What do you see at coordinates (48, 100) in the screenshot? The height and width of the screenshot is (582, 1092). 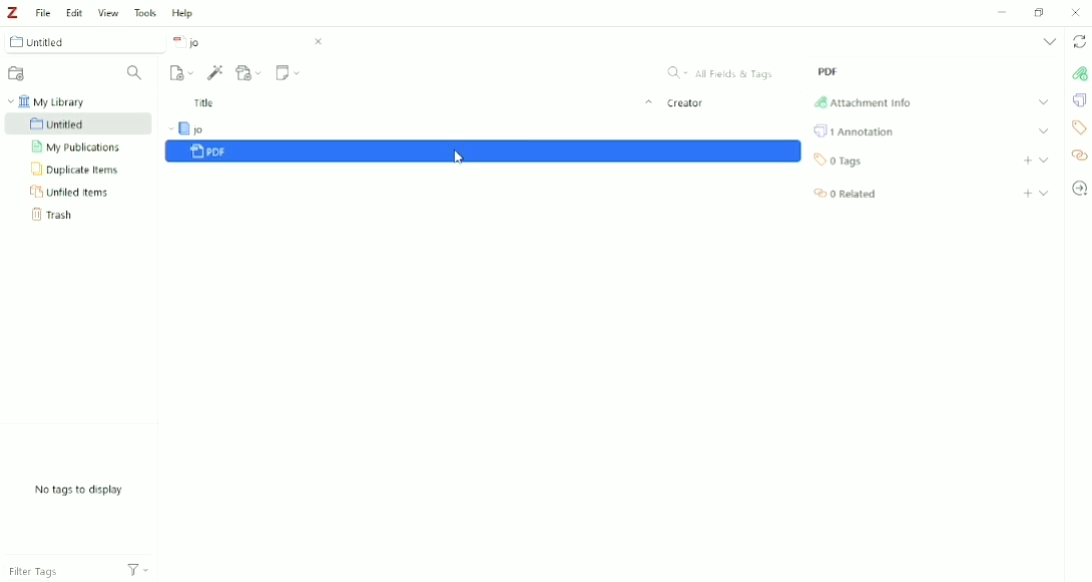 I see `My Library` at bounding box center [48, 100].